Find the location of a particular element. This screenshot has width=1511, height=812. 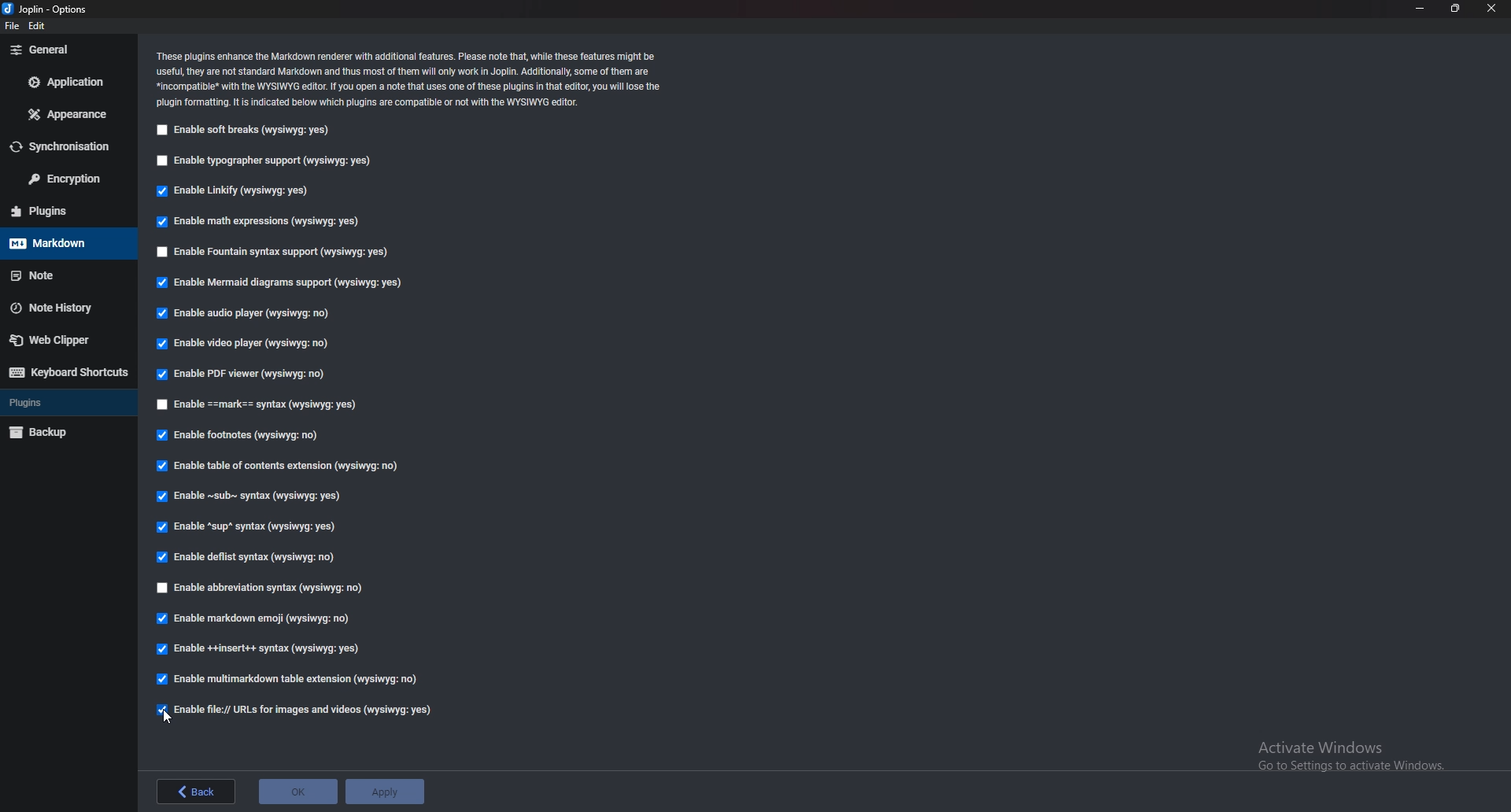

General is located at coordinates (65, 50).